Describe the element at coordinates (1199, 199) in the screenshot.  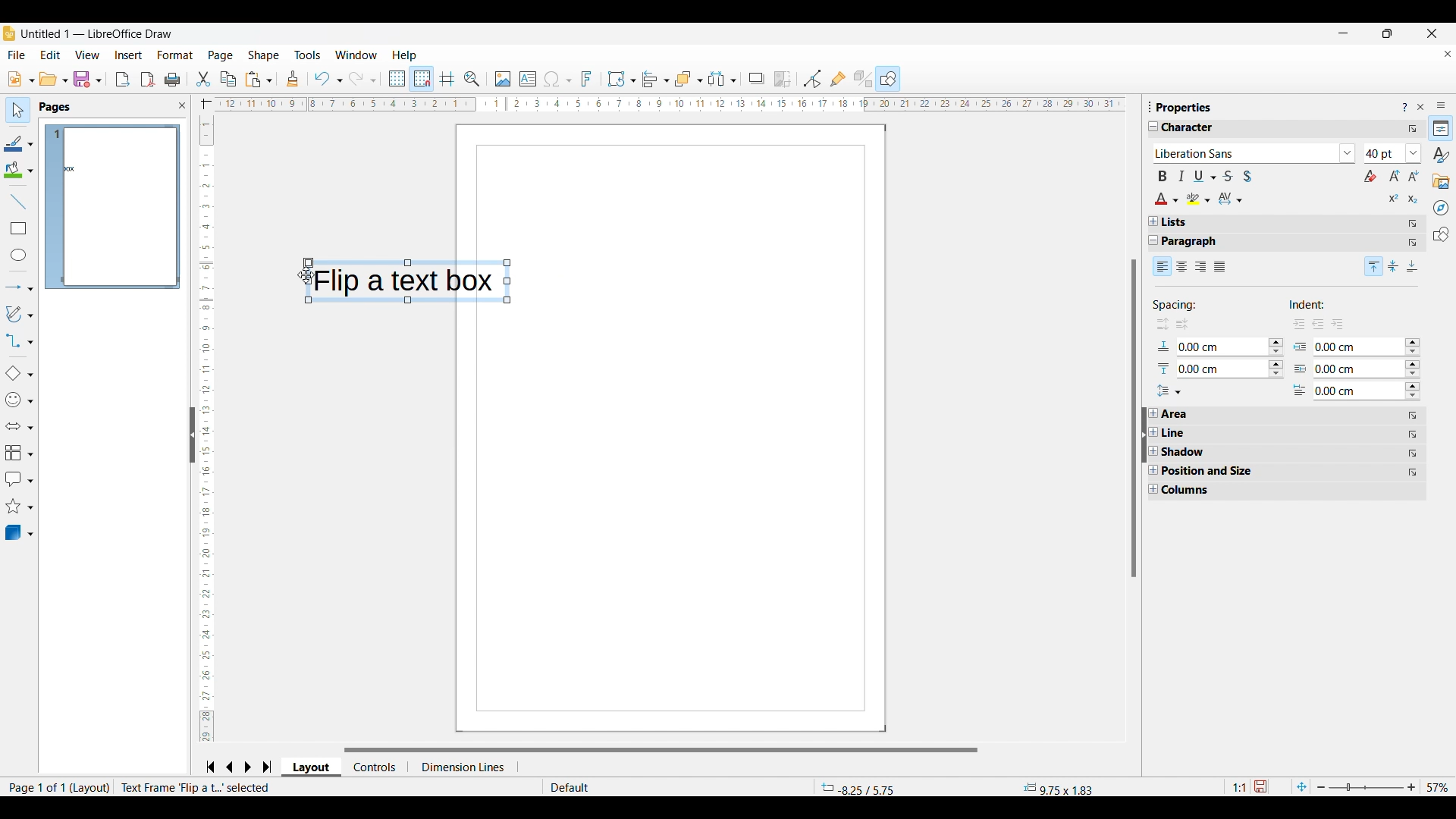
I see `Highlight color options` at that location.